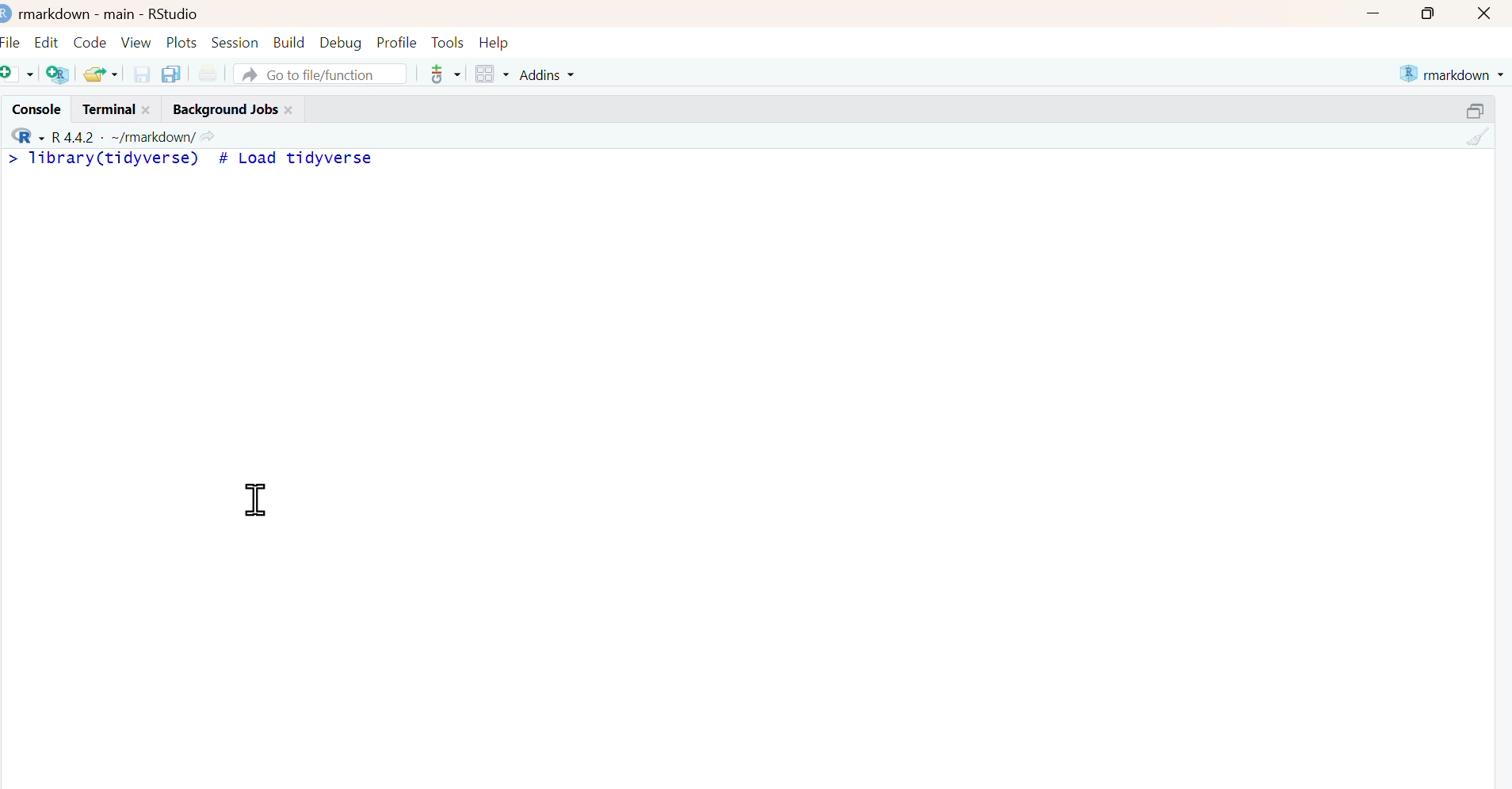 Image resolution: width=1512 pixels, height=789 pixels. I want to click on cursor, so click(257, 500).